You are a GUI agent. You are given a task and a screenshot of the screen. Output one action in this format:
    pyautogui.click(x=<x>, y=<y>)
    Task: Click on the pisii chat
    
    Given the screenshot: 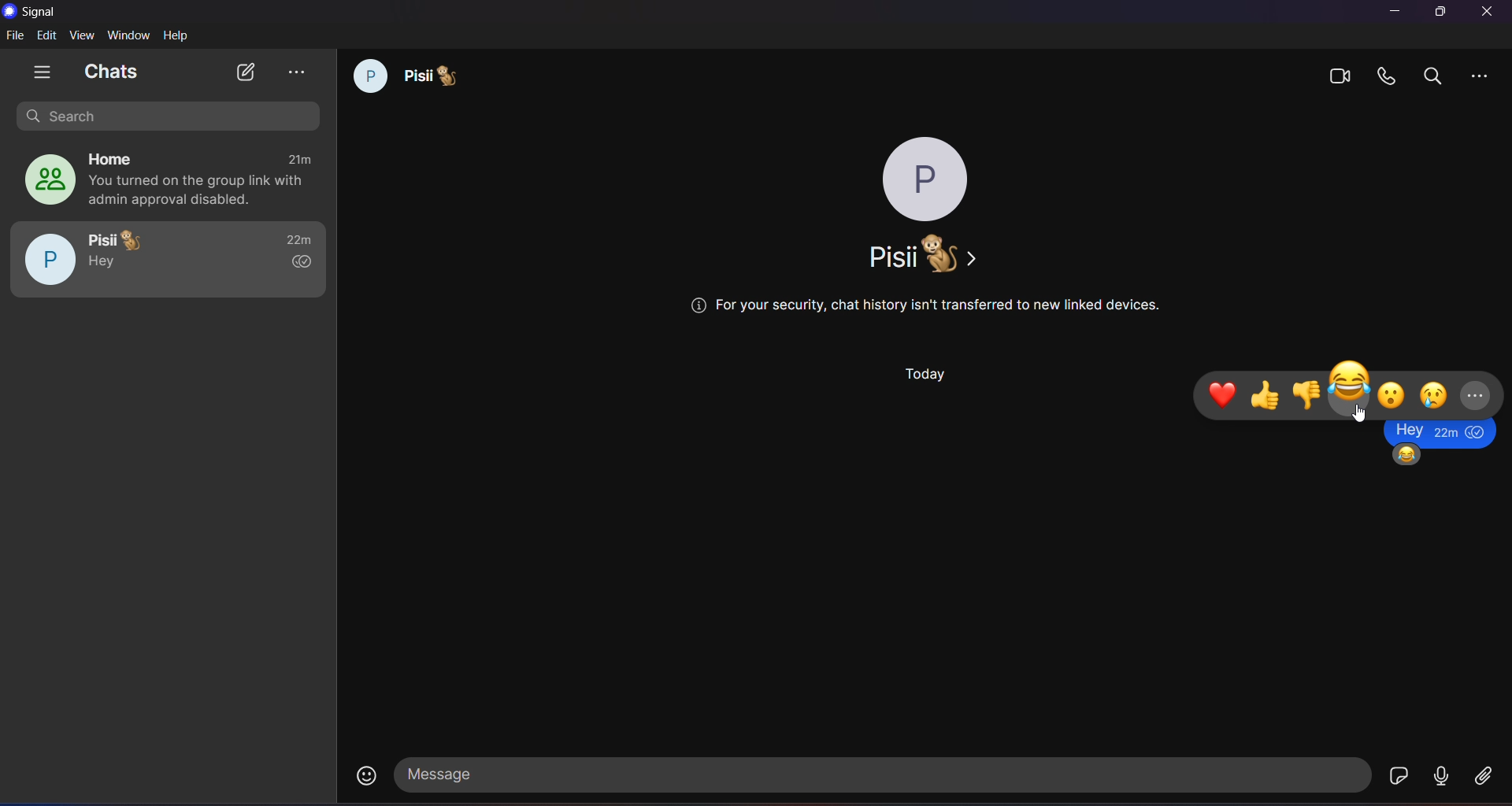 What is the action you would take?
    pyautogui.click(x=169, y=261)
    